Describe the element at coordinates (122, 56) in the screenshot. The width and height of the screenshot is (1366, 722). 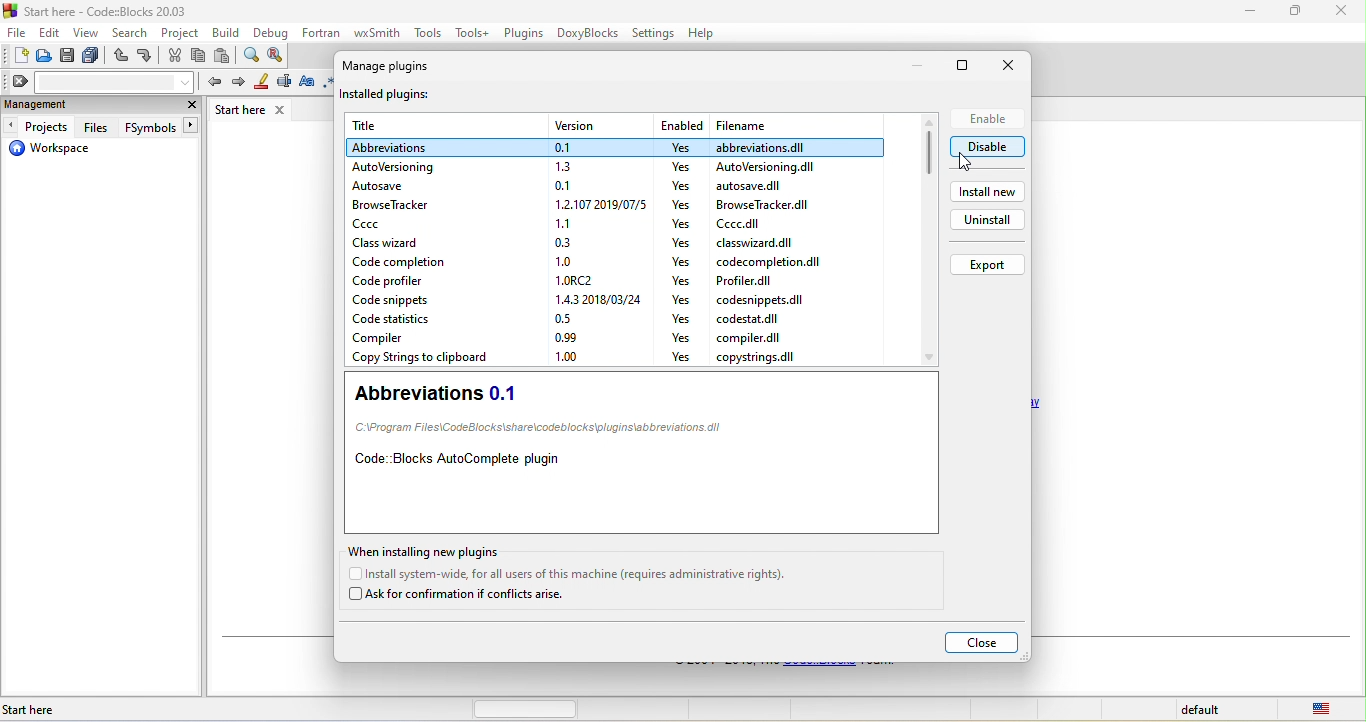
I see `undo` at that location.